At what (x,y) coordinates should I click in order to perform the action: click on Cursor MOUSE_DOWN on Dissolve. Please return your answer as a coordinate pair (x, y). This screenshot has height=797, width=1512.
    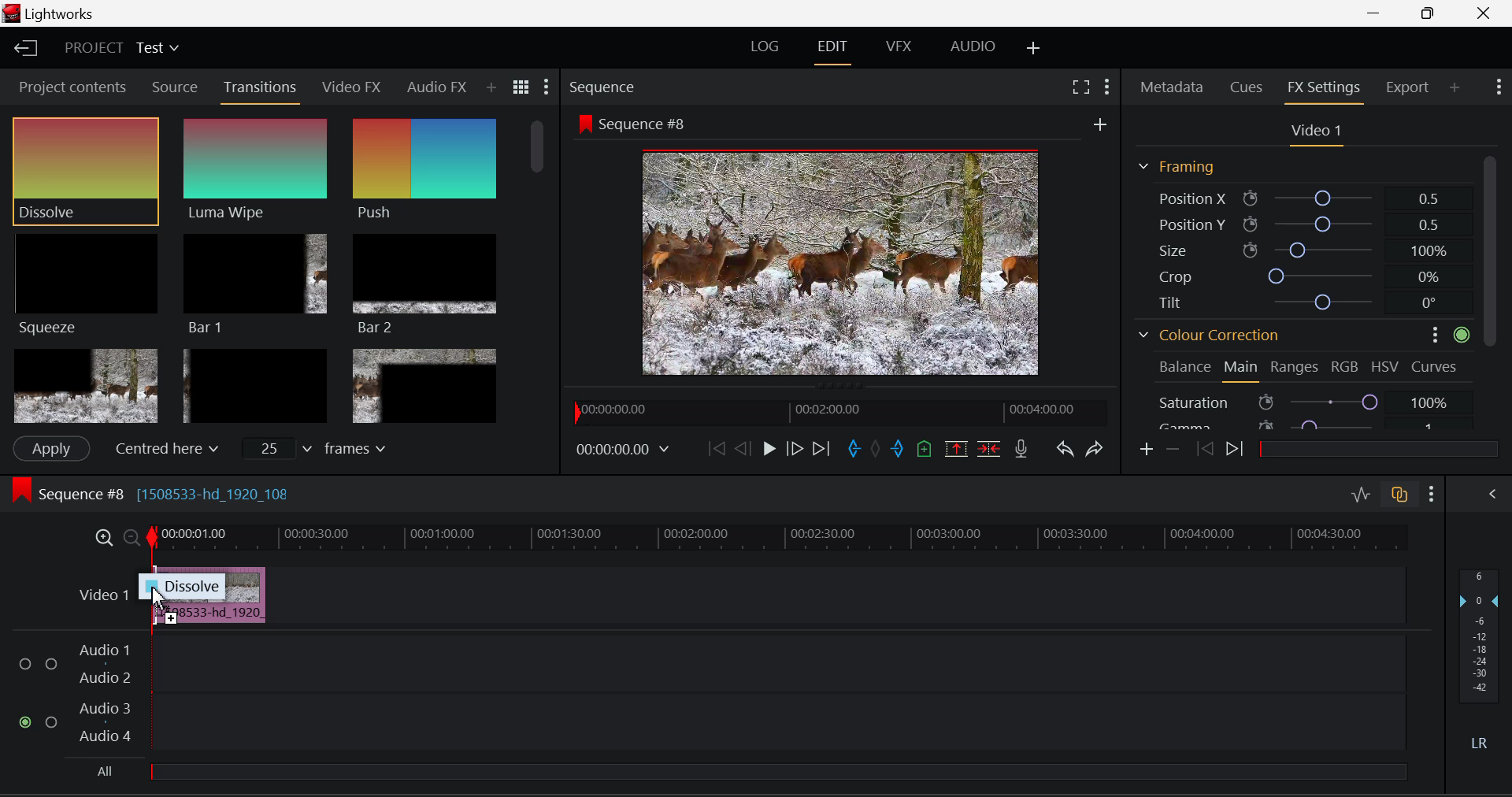
    Looking at the image, I should click on (86, 172).